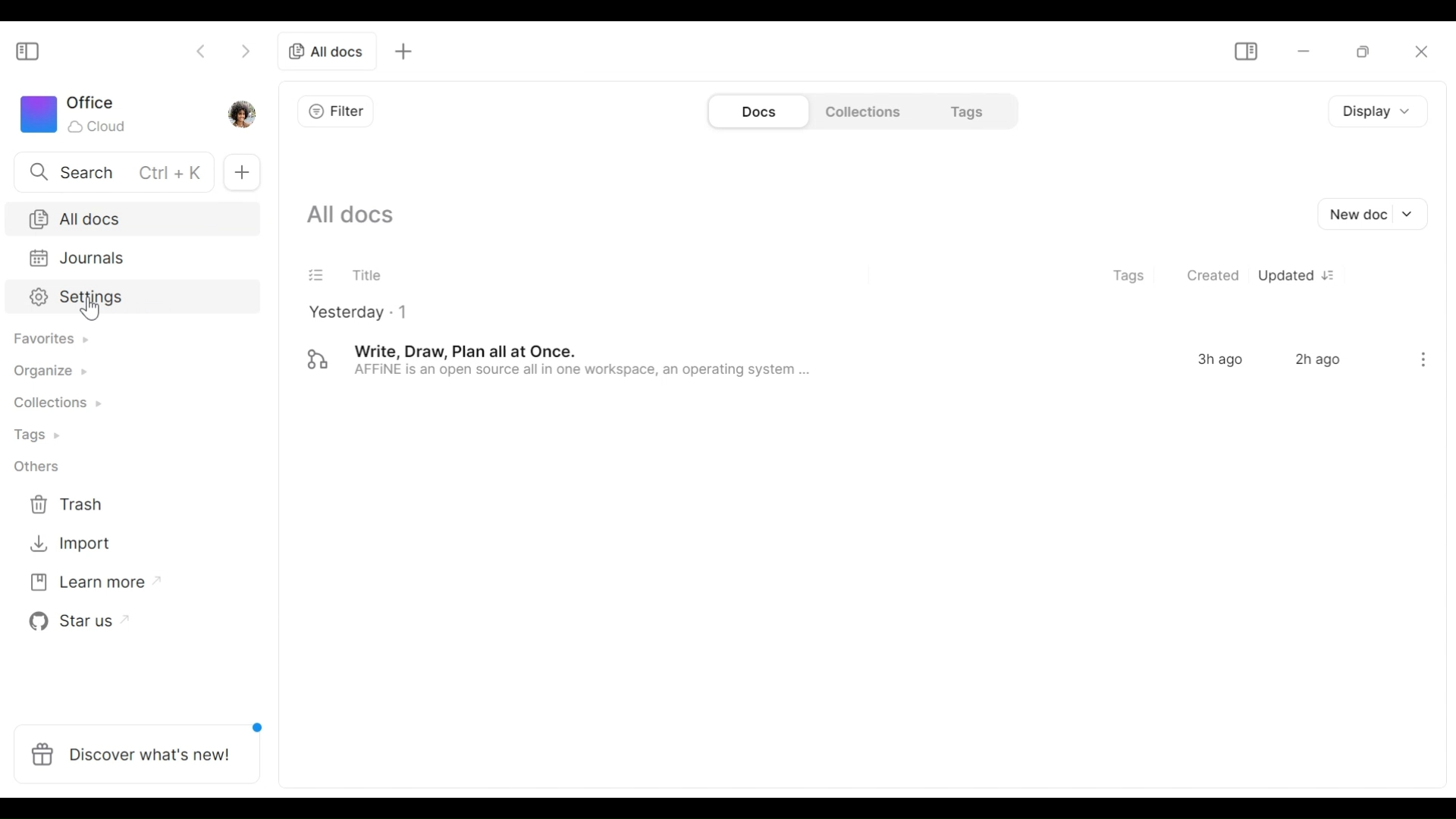  I want to click on Collections, so click(864, 111).